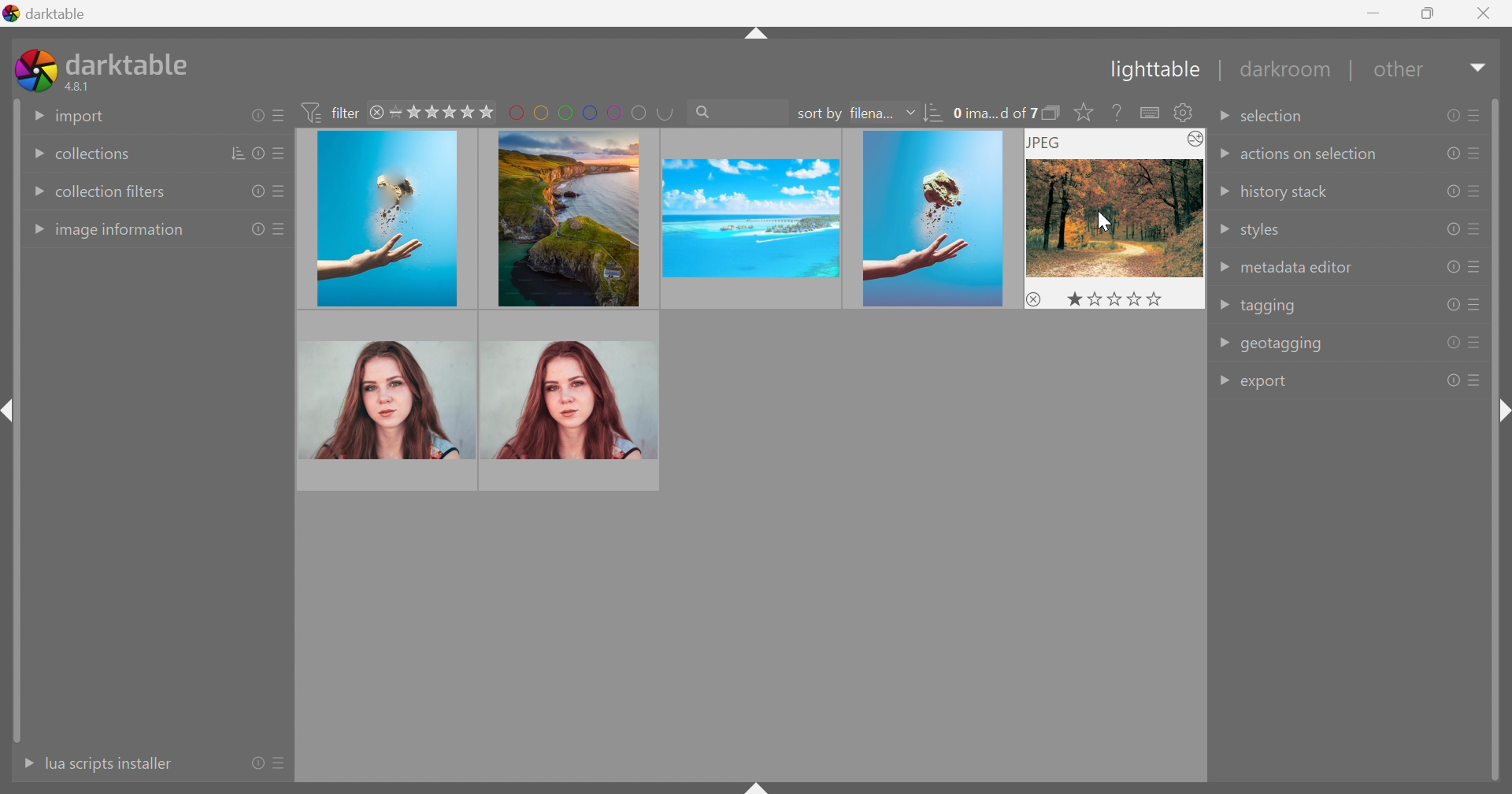 The width and height of the screenshot is (1512, 794). I want to click on darktable icon, so click(35, 70).